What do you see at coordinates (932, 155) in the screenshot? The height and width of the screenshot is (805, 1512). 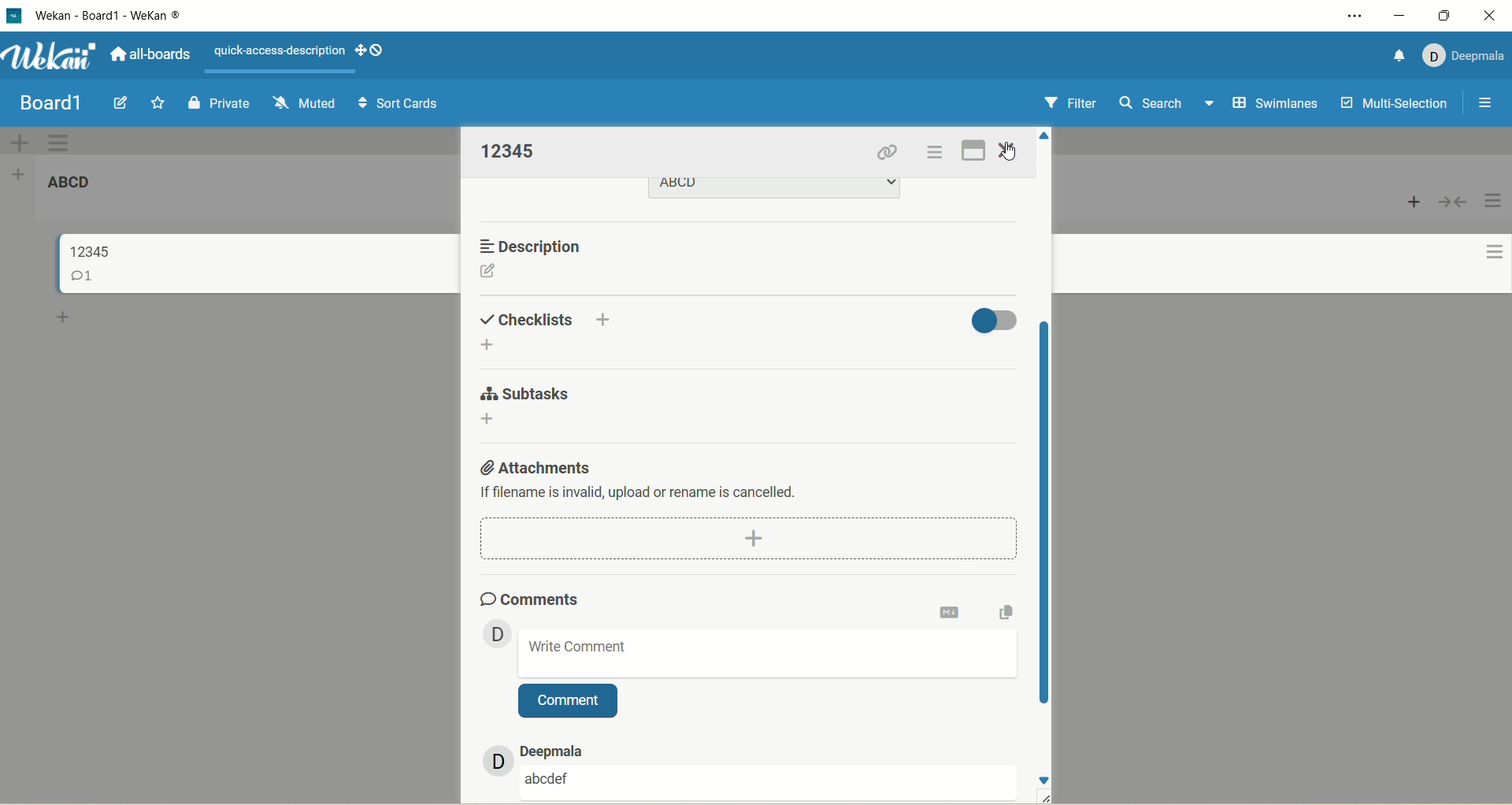 I see `actions` at bounding box center [932, 155].